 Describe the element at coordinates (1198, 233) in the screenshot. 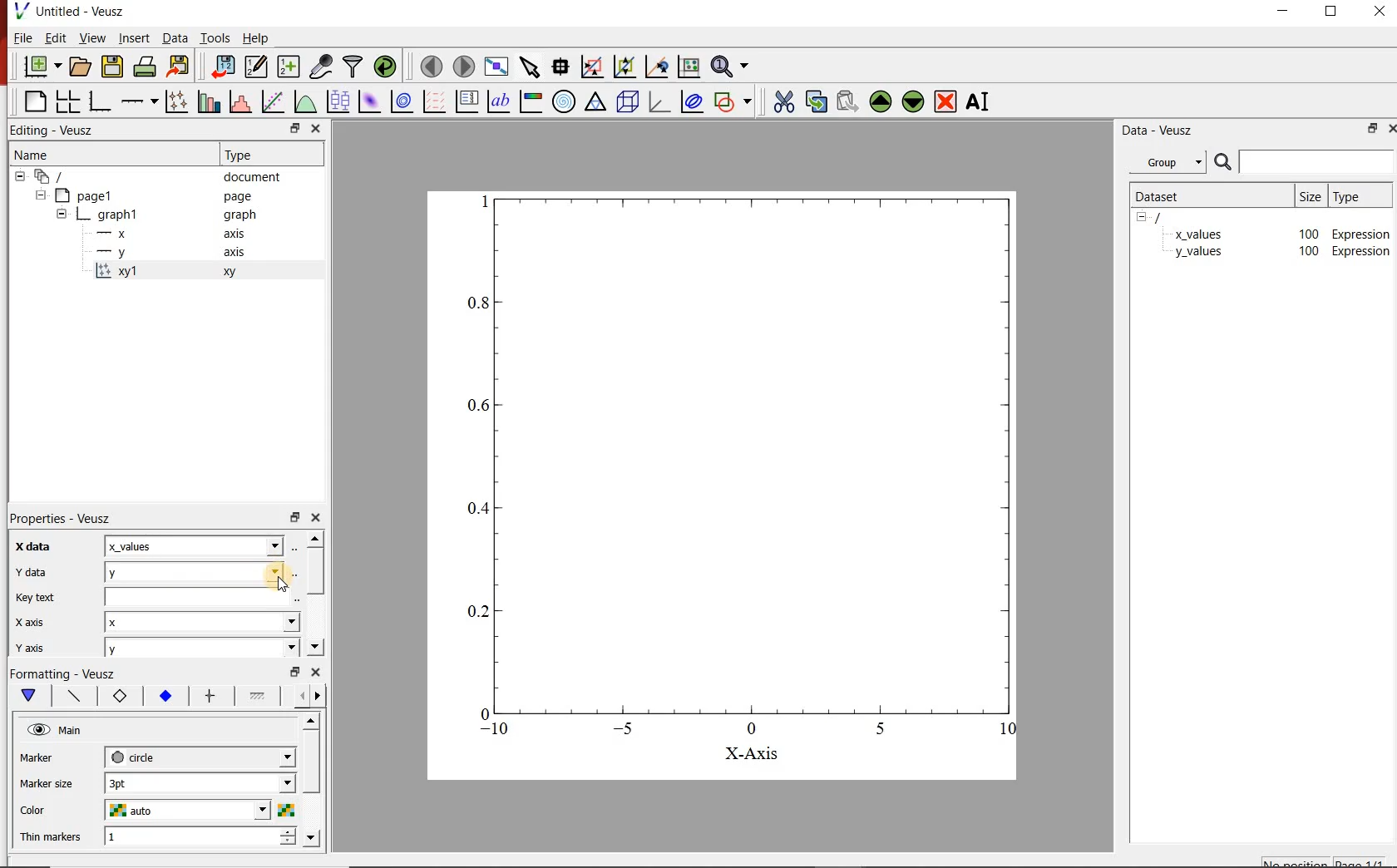

I see `x_values` at that location.